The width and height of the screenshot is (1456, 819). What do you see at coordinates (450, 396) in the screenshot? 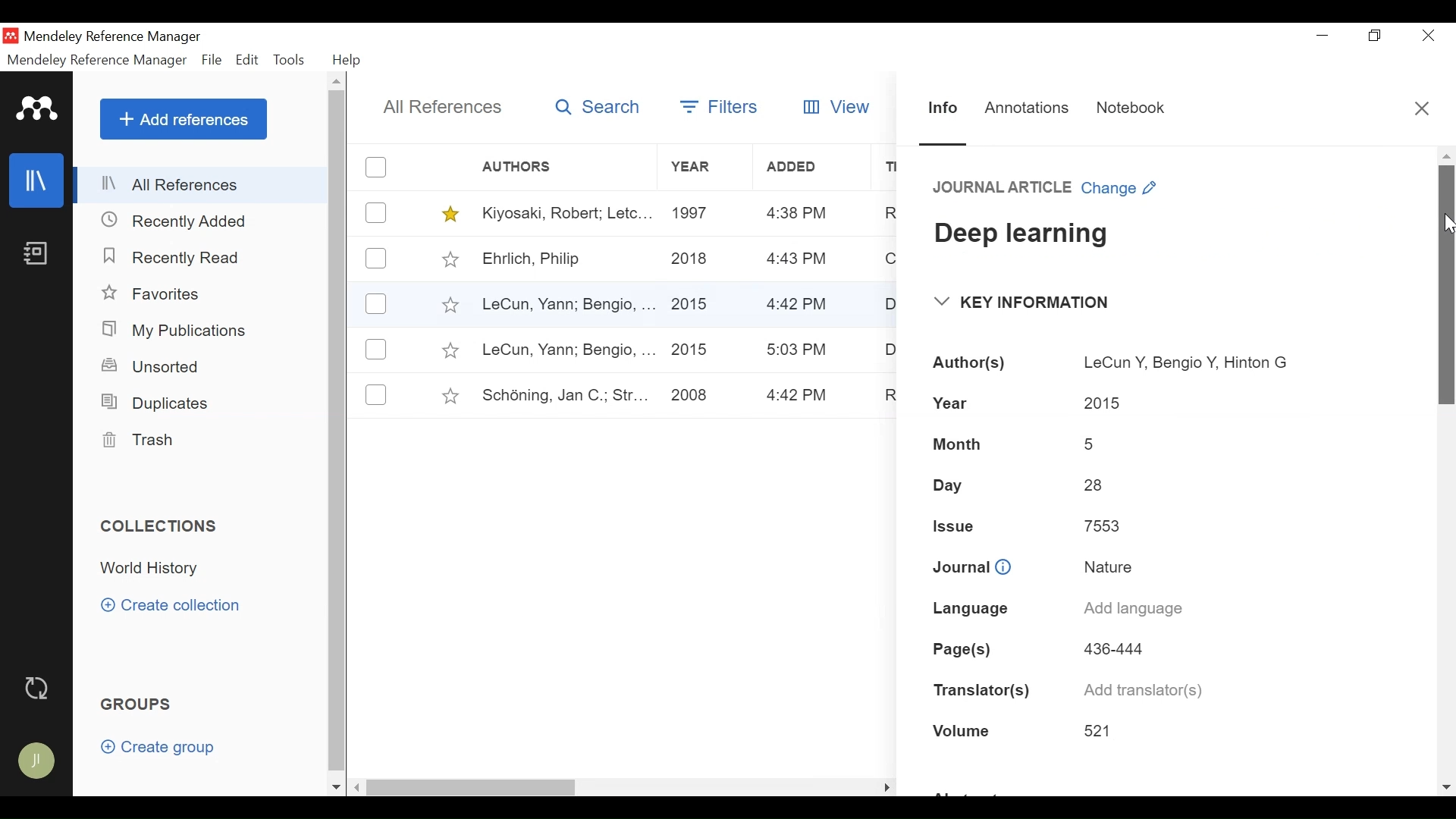
I see `Toggle Favorites` at bounding box center [450, 396].